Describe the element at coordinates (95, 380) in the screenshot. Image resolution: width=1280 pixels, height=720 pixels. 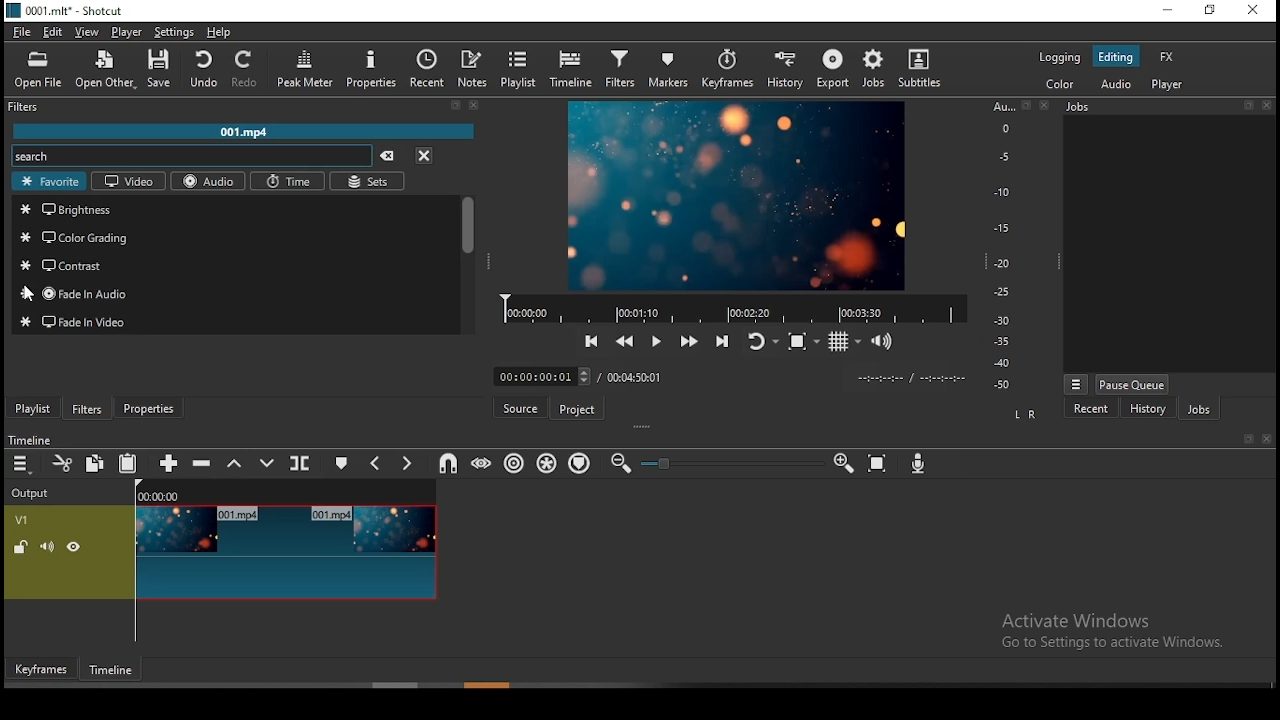
I see `remove cut` at that location.